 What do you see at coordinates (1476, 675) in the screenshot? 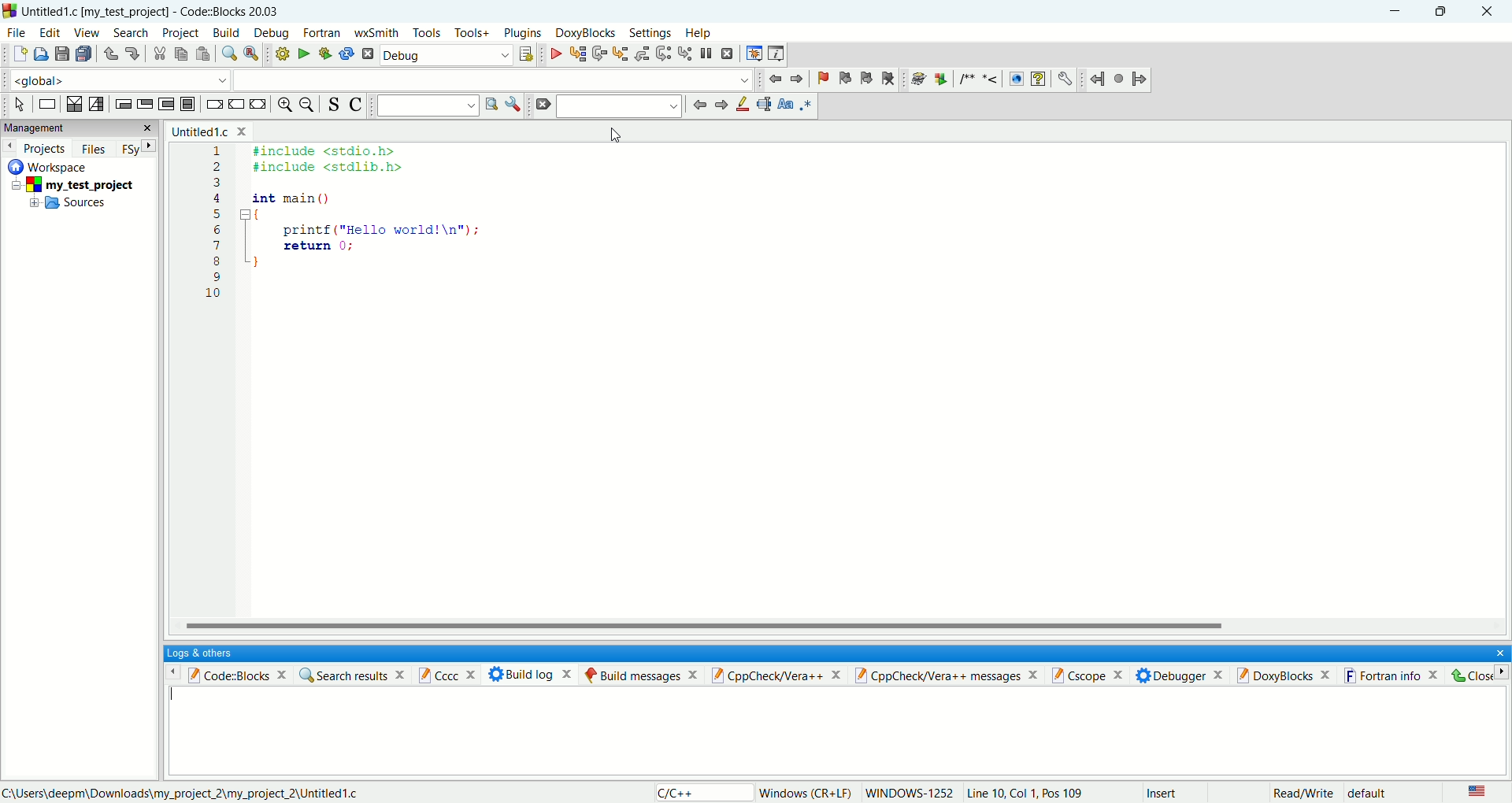
I see `close` at bounding box center [1476, 675].